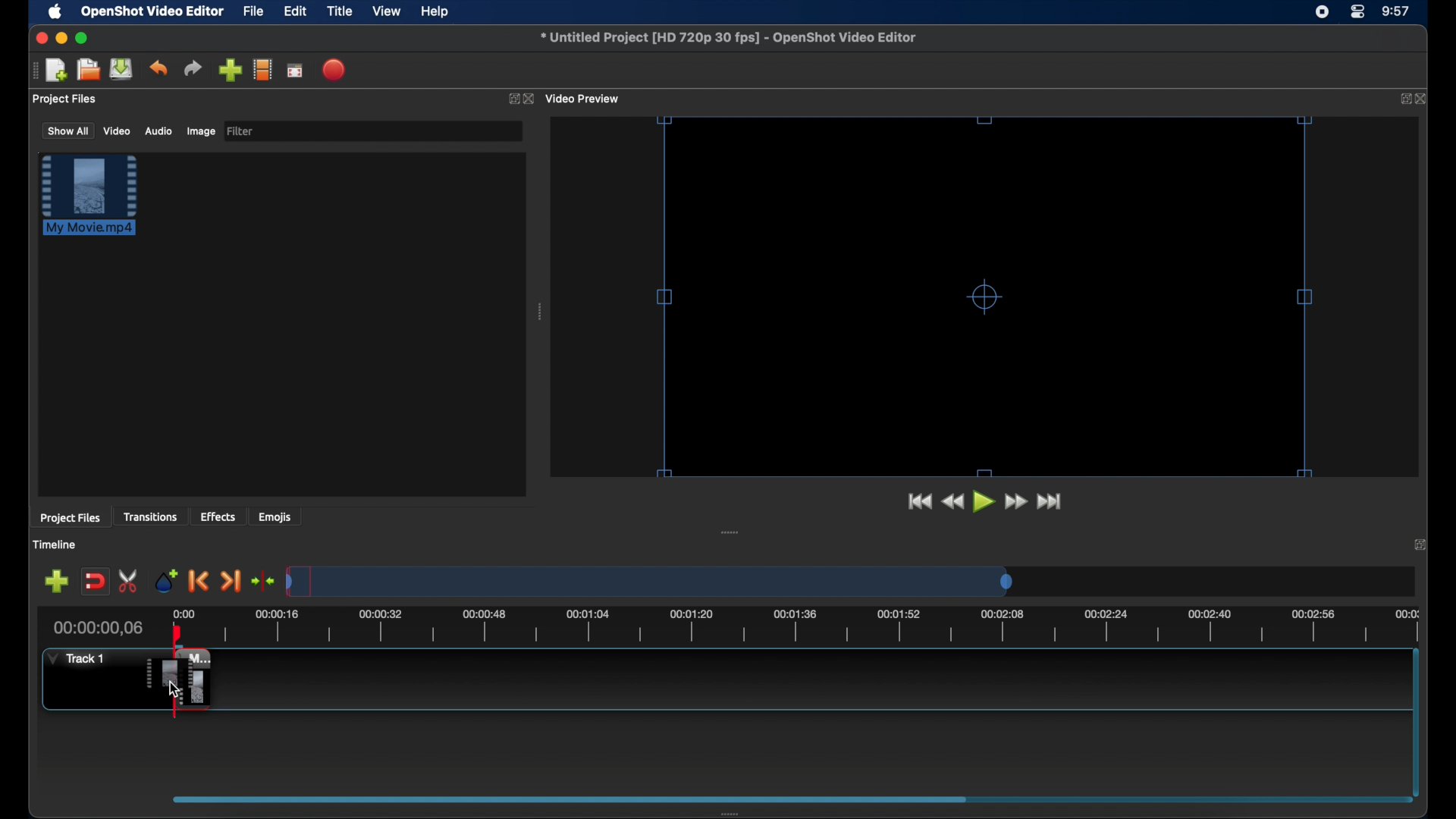  Describe the element at coordinates (118, 130) in the screenshot. I see `video` at that location.